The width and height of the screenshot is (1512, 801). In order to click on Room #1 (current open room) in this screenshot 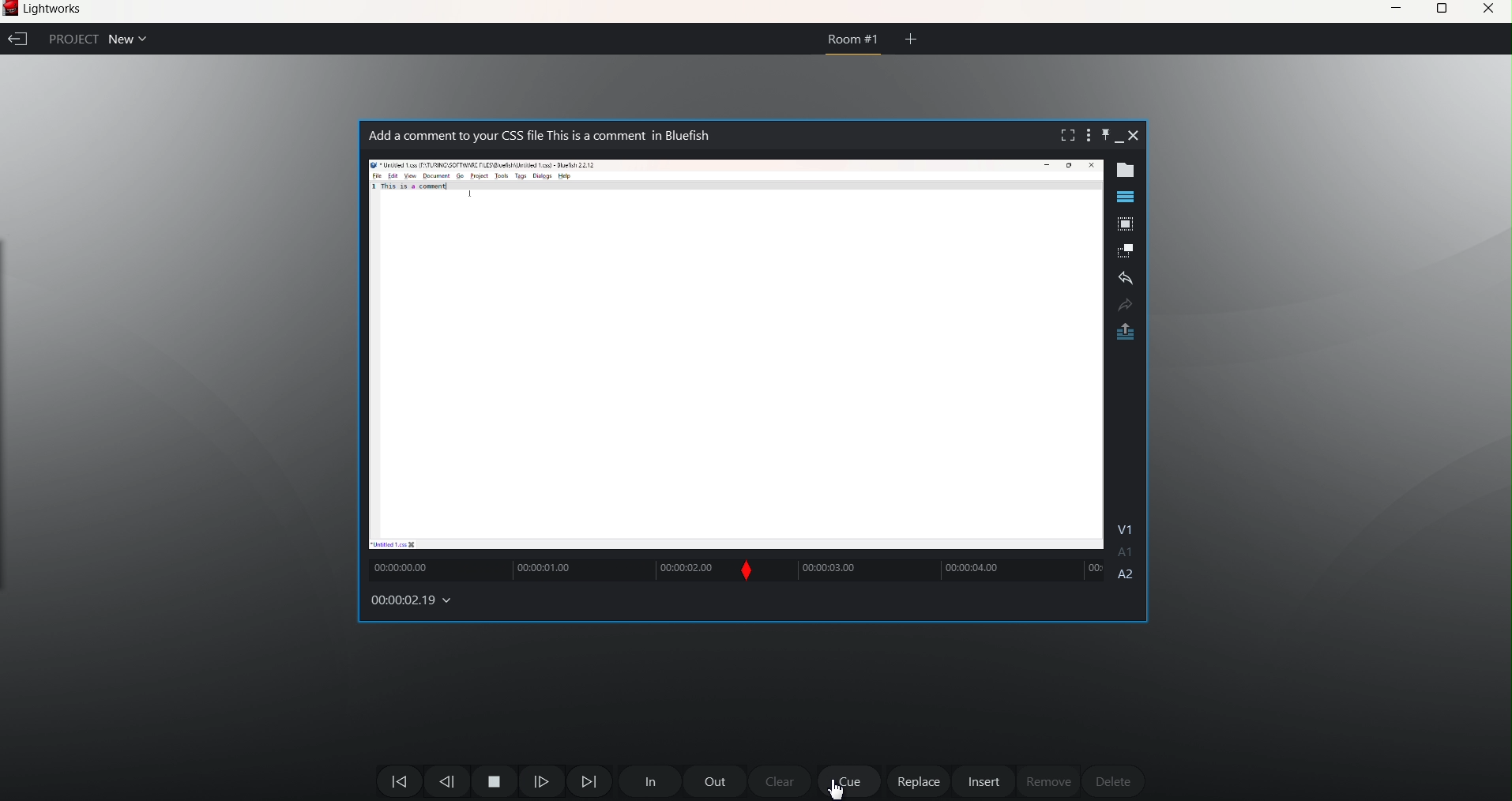, I will do `click(854, 44)`.